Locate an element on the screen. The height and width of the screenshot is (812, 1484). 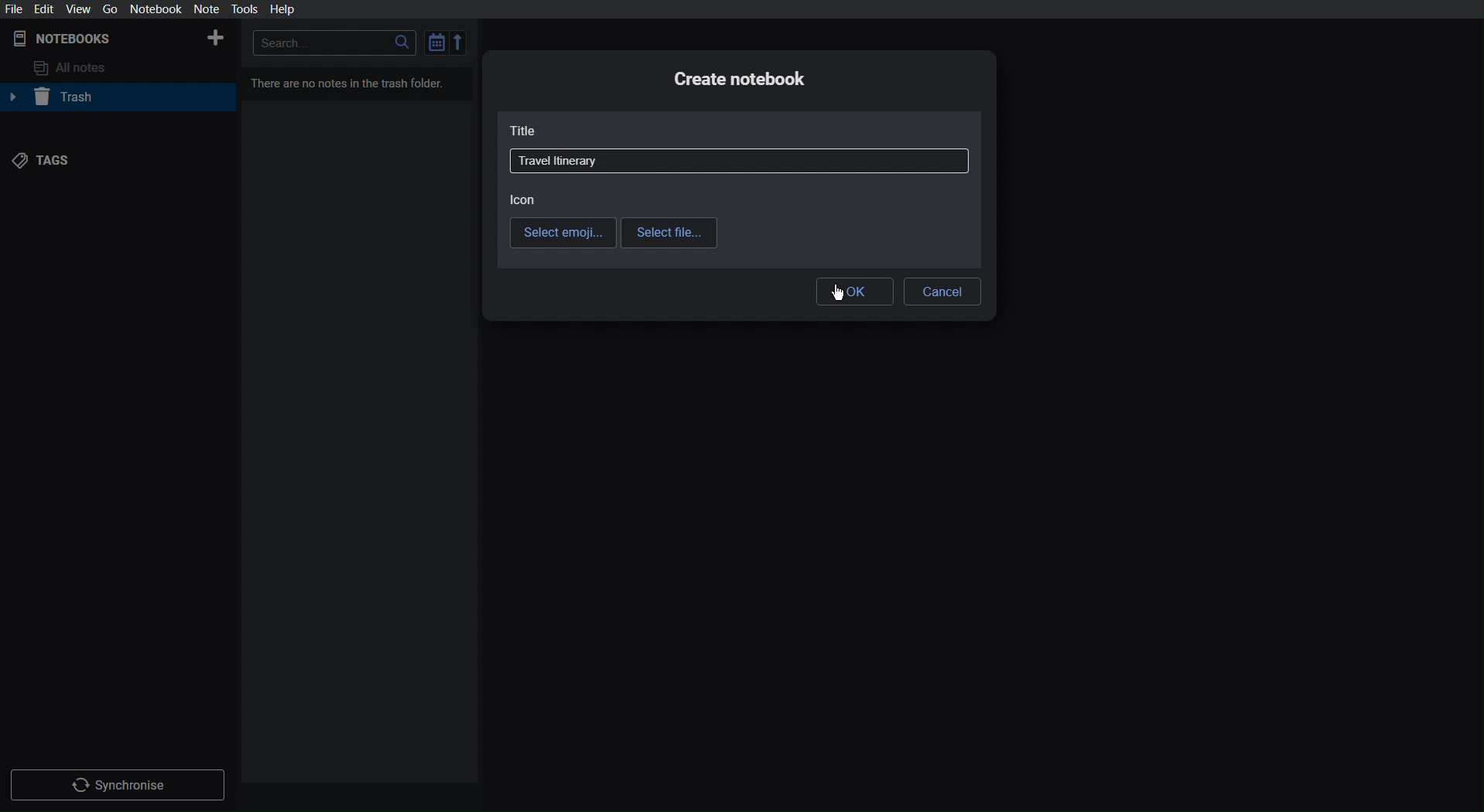
Edit is located at coordinates (46, 9).